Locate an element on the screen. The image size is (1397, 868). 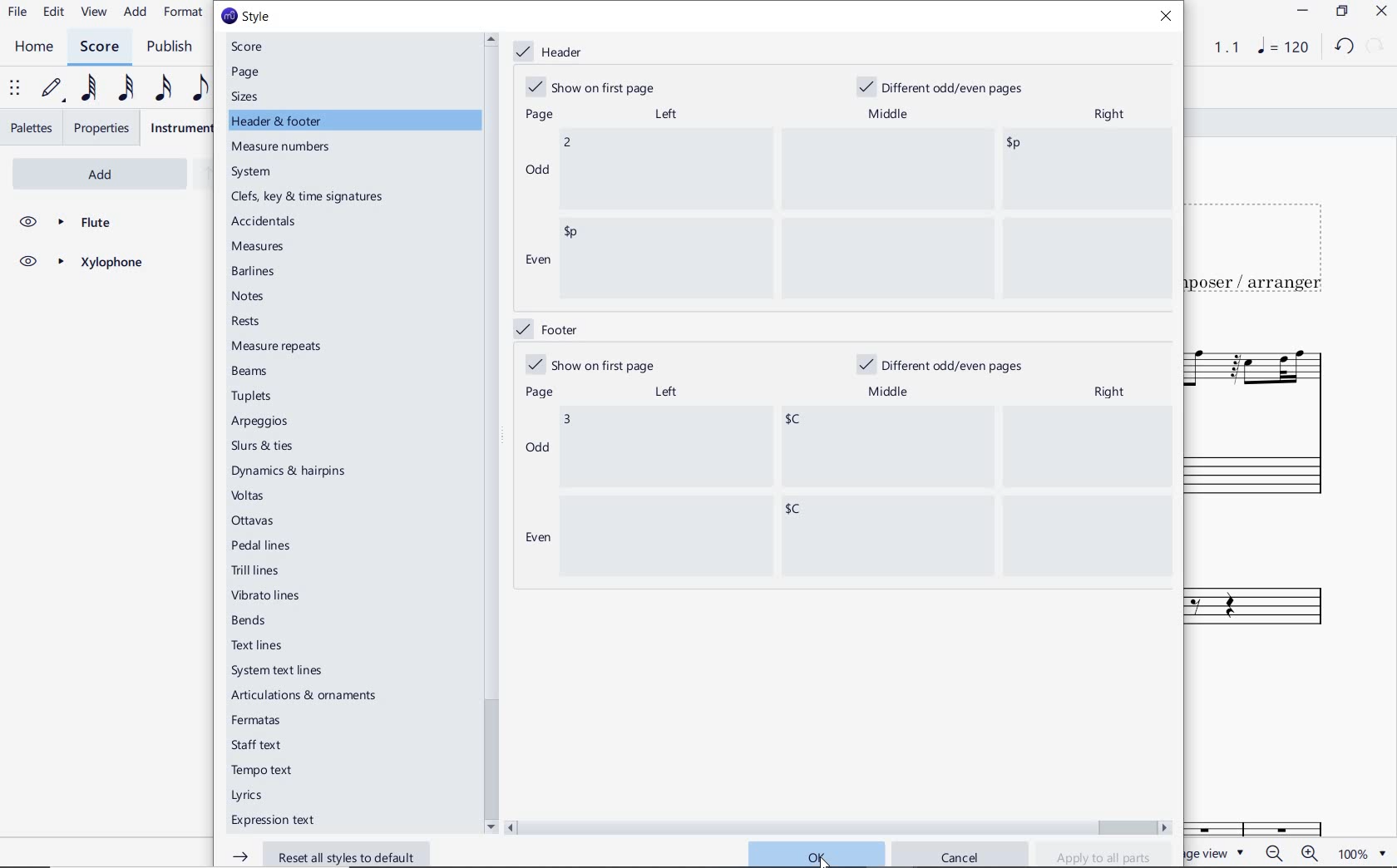
header & footer is located at coordinates (279, 121).